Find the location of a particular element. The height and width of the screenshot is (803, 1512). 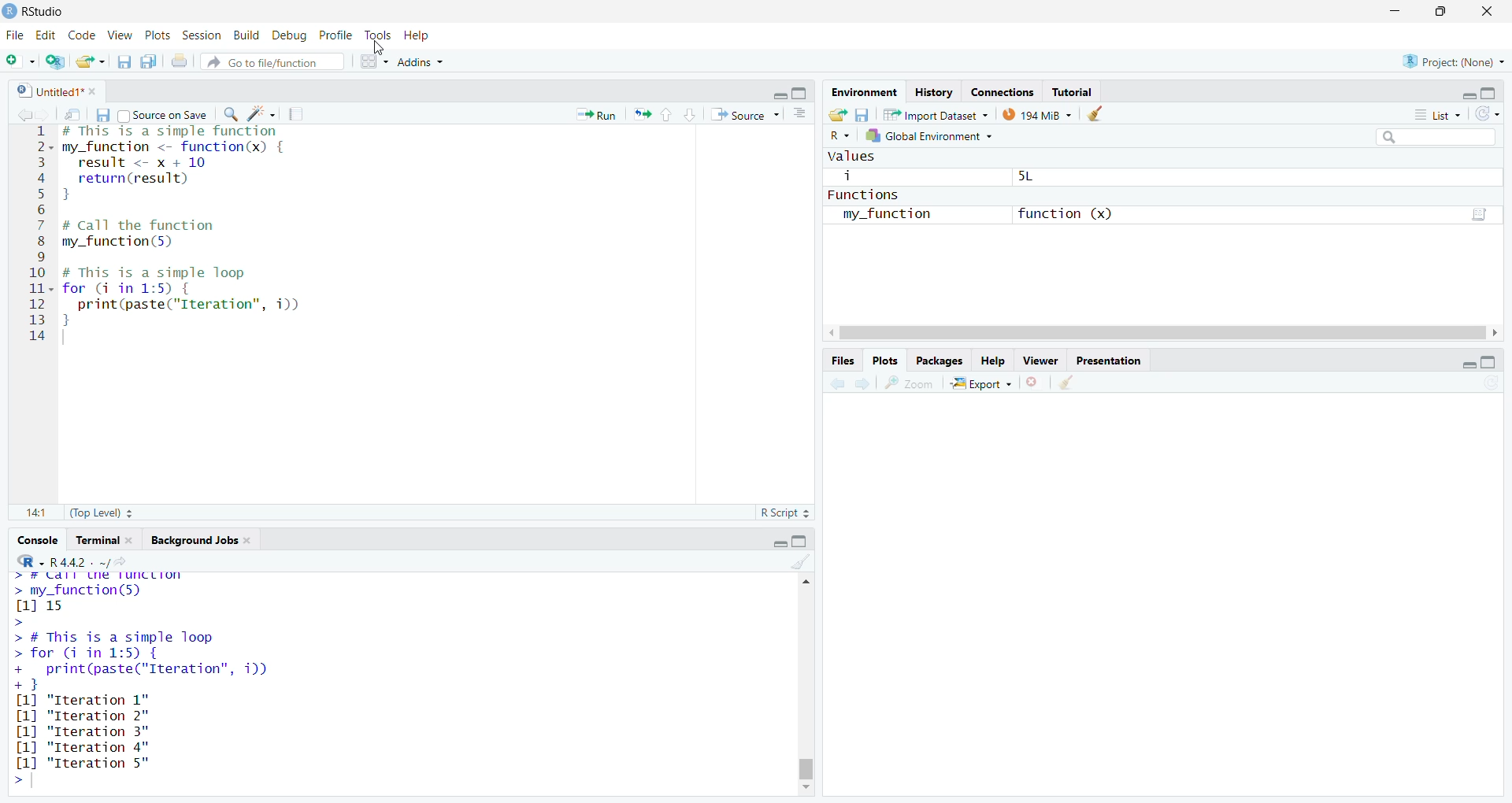

environment is located at coordinates (866, 92).